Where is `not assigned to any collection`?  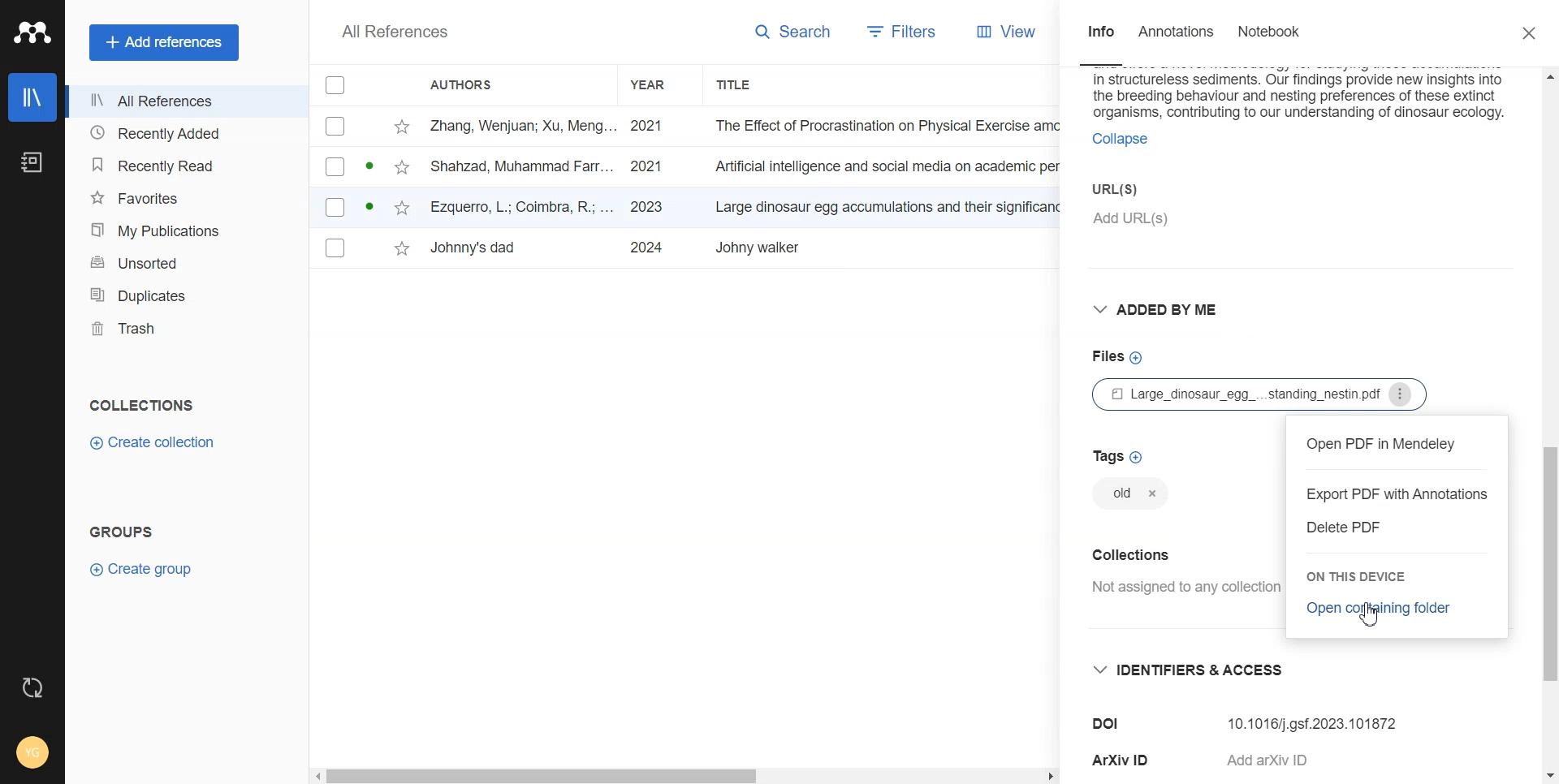
not assigned to any collection is located at coordinates (1183, 588).